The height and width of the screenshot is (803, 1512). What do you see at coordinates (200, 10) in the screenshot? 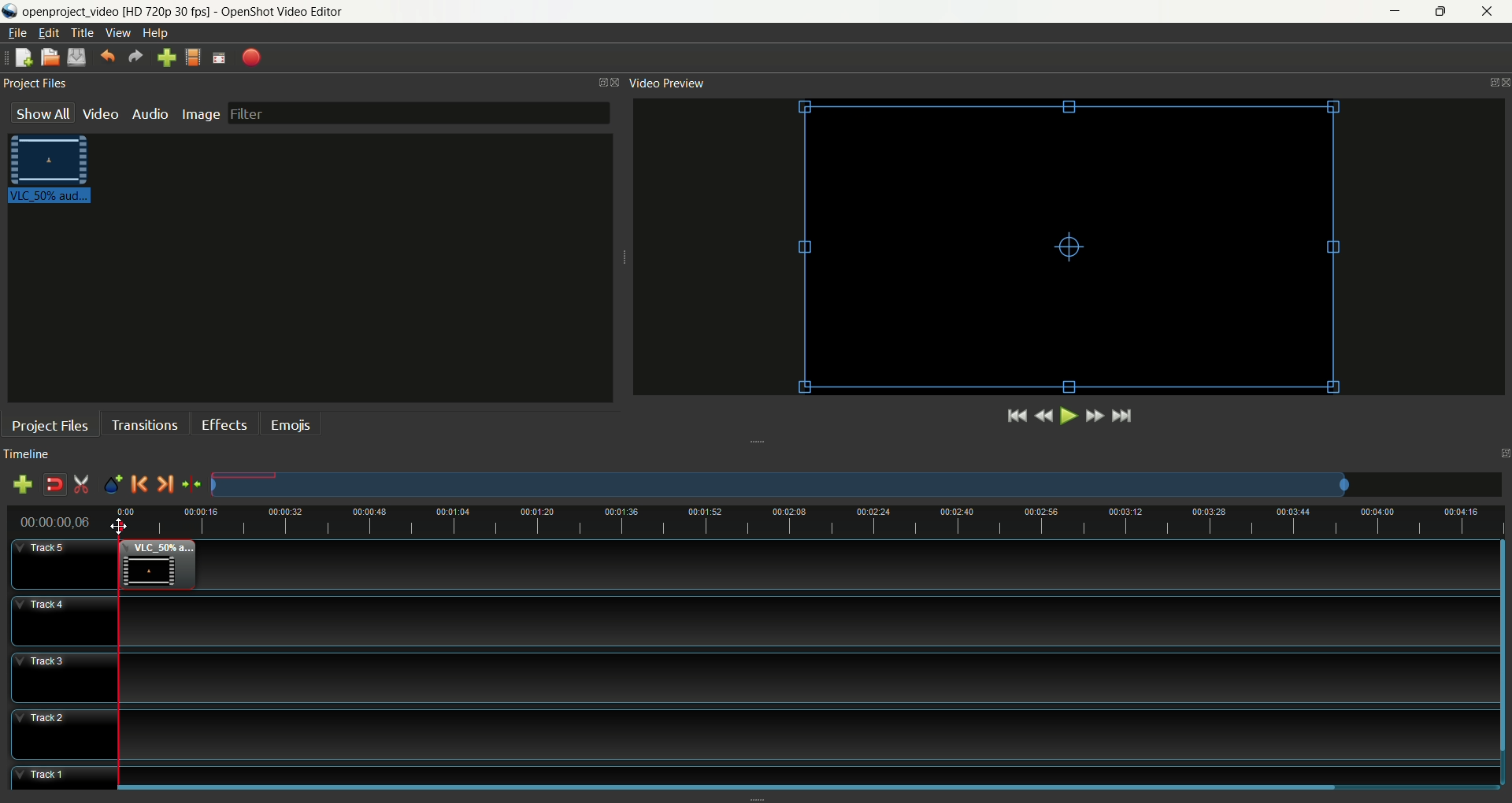
I see `openproject_video [HD 720p 30 fps] - OpenShot Video Editor` at bounding box center [200, 10].